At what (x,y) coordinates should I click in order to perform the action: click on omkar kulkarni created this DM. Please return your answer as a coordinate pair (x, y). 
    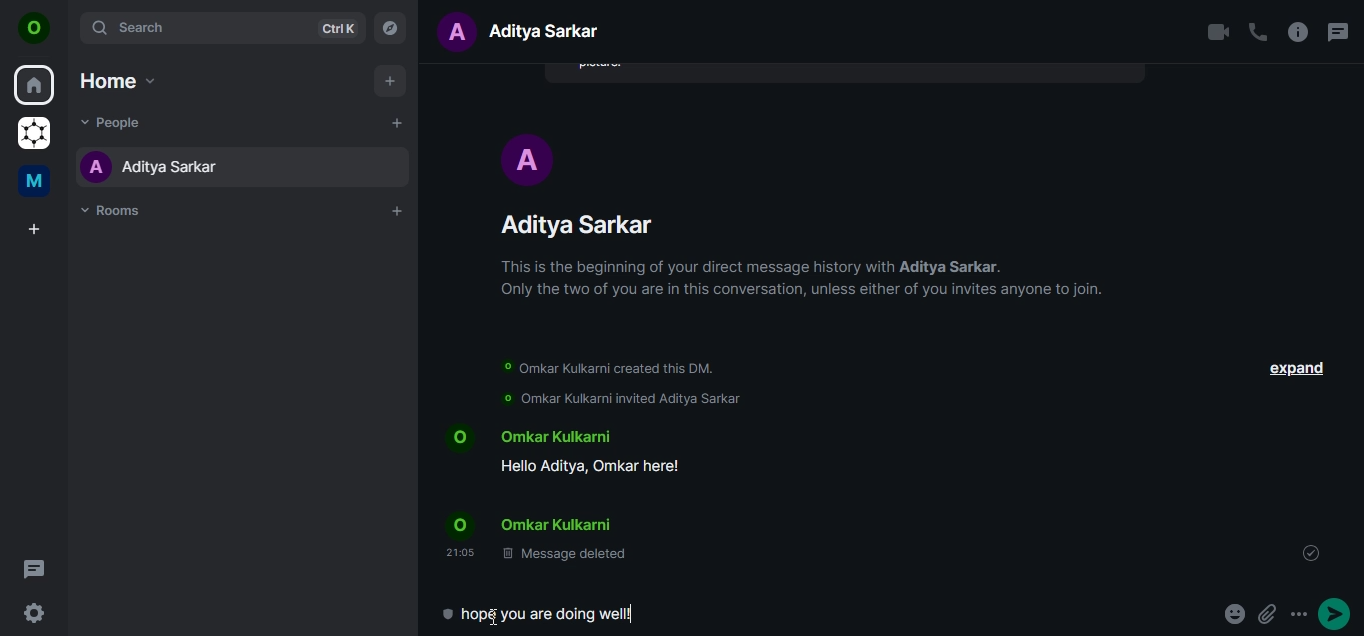
    Looking at the image, I should click on (620, 368).